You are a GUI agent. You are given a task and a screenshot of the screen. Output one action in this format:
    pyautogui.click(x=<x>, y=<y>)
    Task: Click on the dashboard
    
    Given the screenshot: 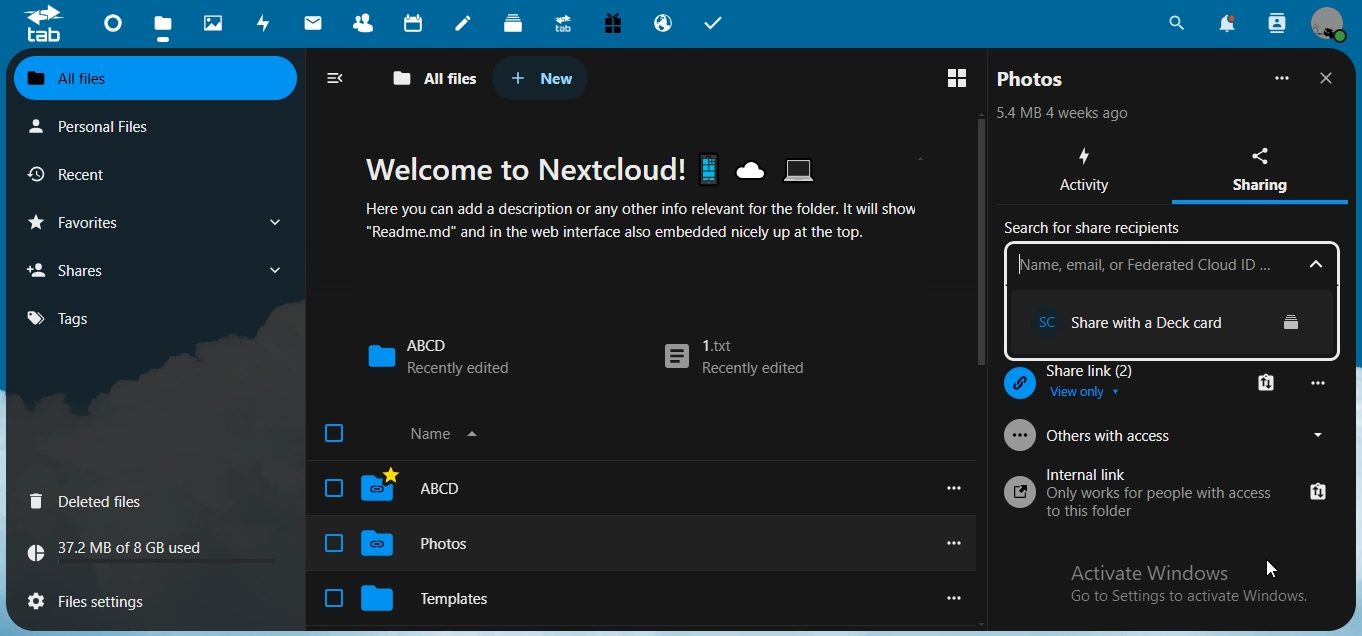 What is the action you would take?
    pyautogui.click(x=115, y=29)
    